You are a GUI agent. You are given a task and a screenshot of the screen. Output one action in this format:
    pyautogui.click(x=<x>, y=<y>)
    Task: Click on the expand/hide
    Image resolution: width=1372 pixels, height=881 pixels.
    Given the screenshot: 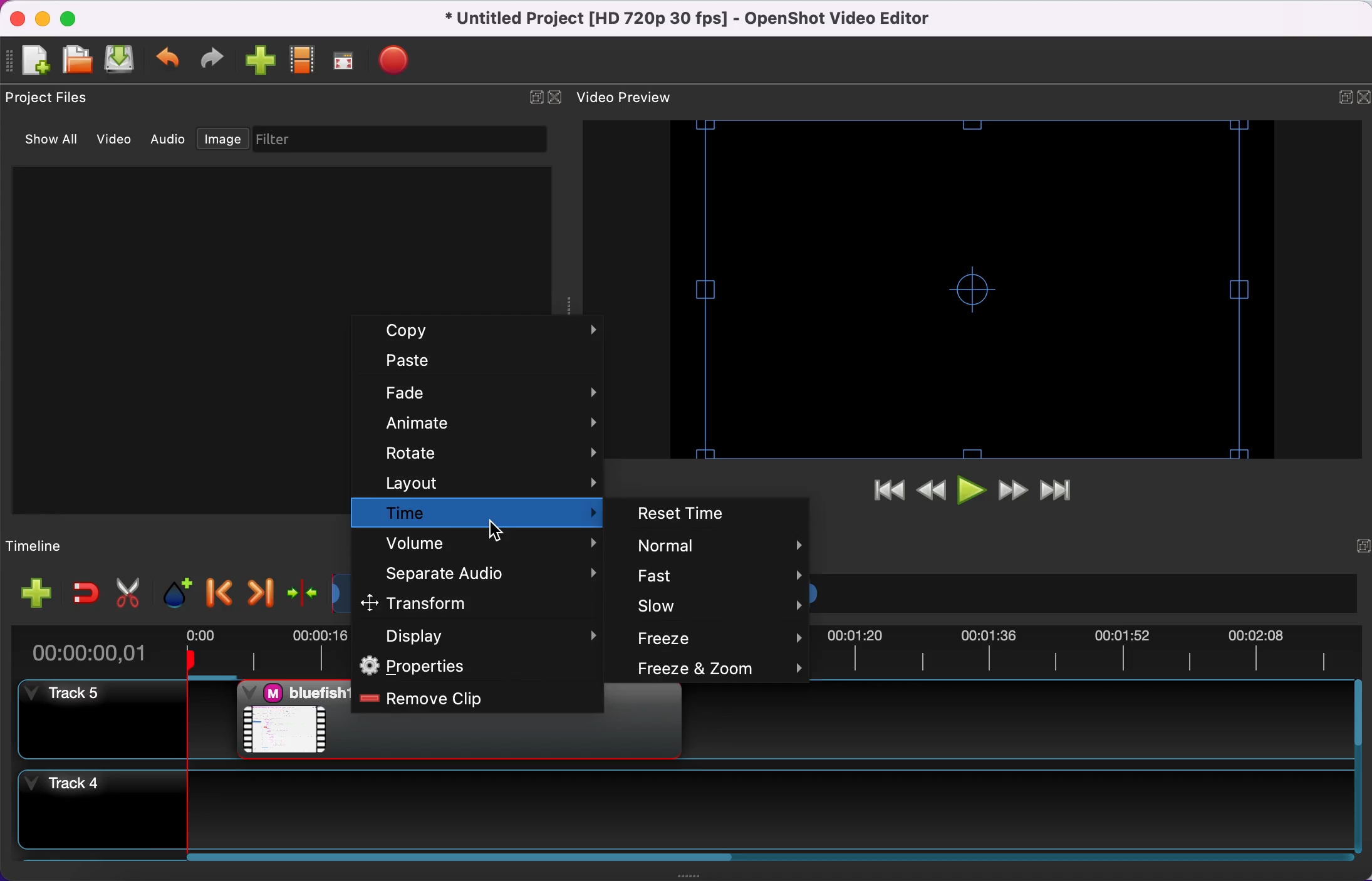 What is the action you would take?
    pyautogui.click(x=1353, y=547)
    